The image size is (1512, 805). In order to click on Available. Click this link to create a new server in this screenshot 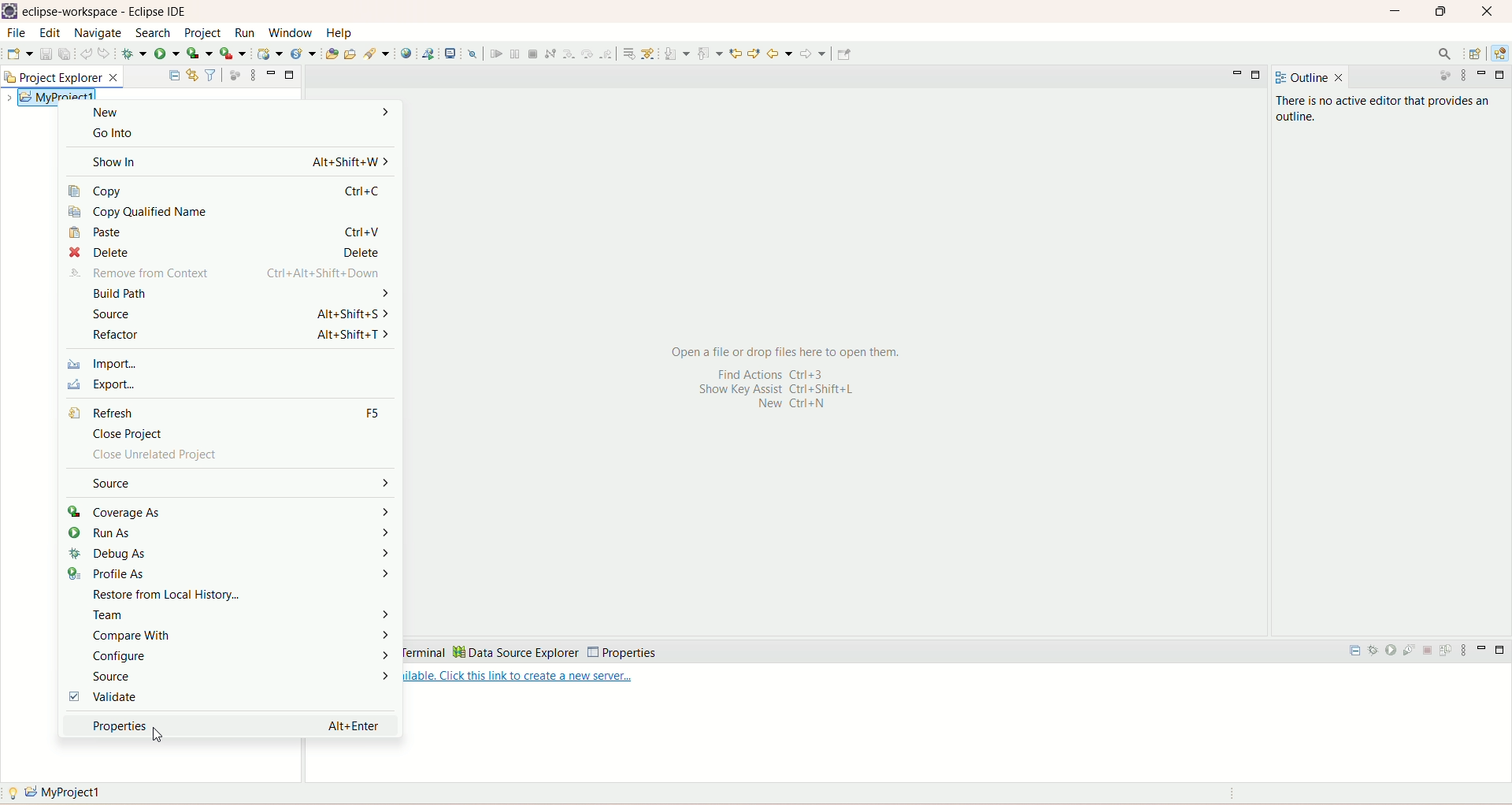, I will do `click(524, 679)`.